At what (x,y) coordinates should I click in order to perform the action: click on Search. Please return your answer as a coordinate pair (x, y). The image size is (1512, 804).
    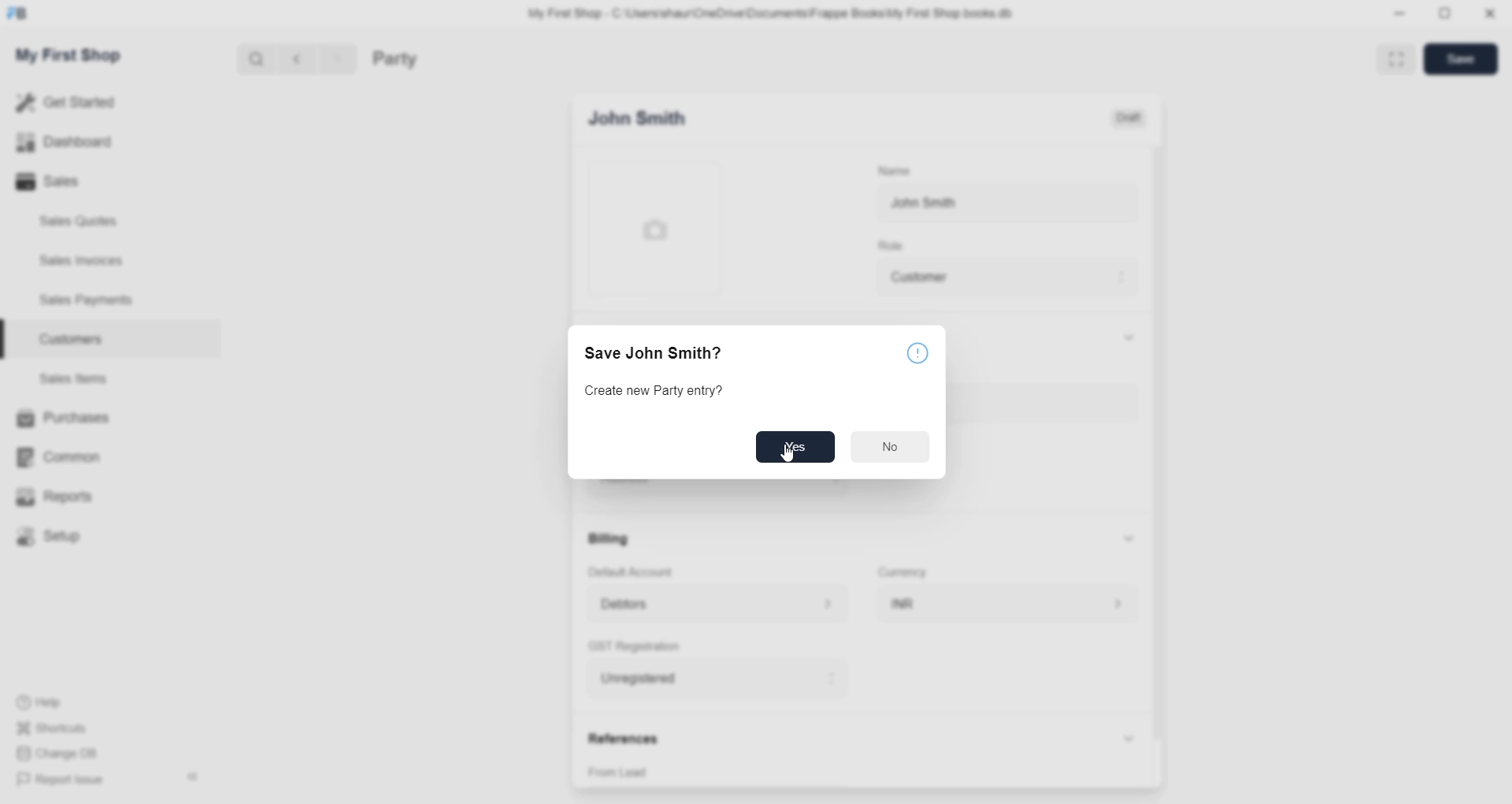
    Looking at the image, I should click on (256, 61).